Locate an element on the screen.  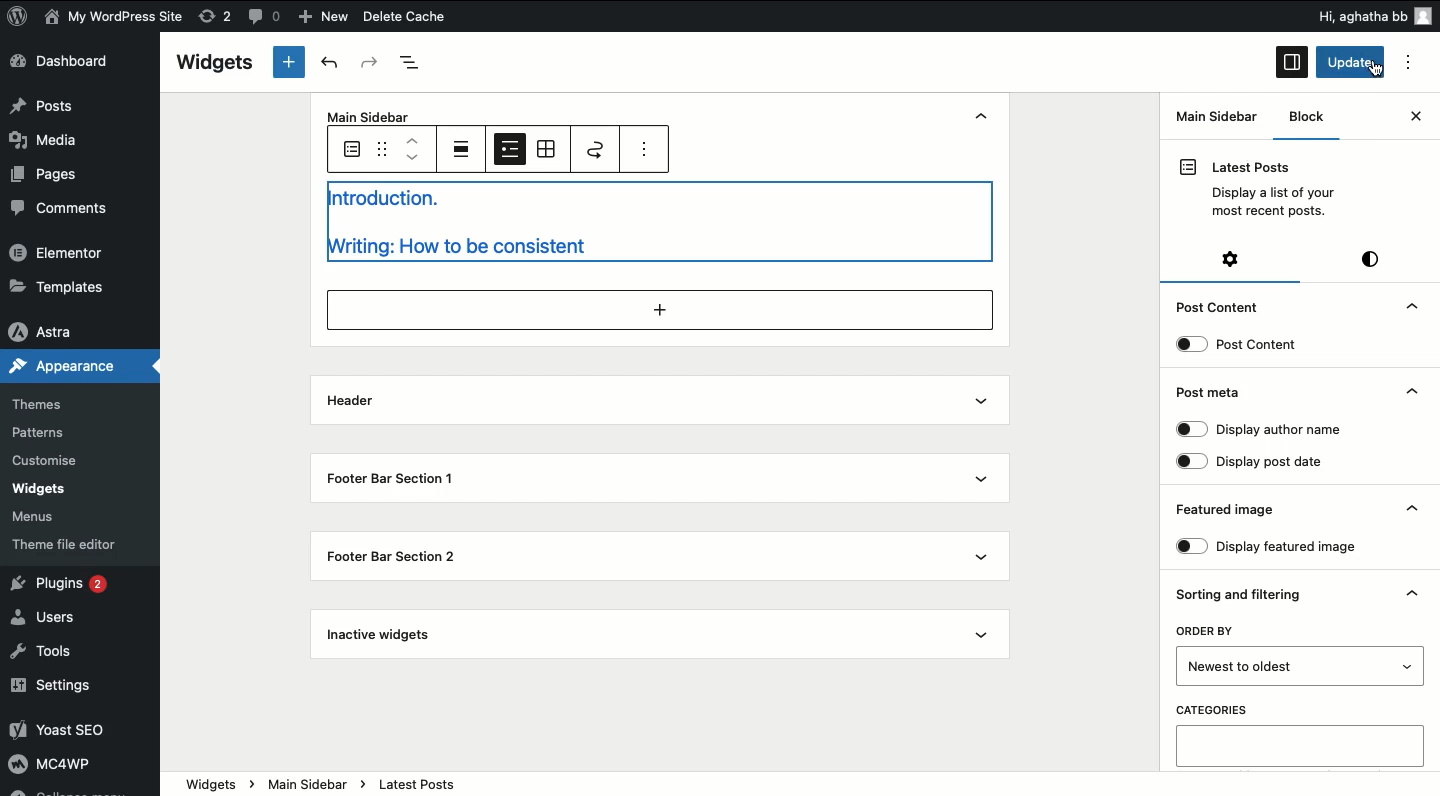
Customise is located at coordinates (46, 457).